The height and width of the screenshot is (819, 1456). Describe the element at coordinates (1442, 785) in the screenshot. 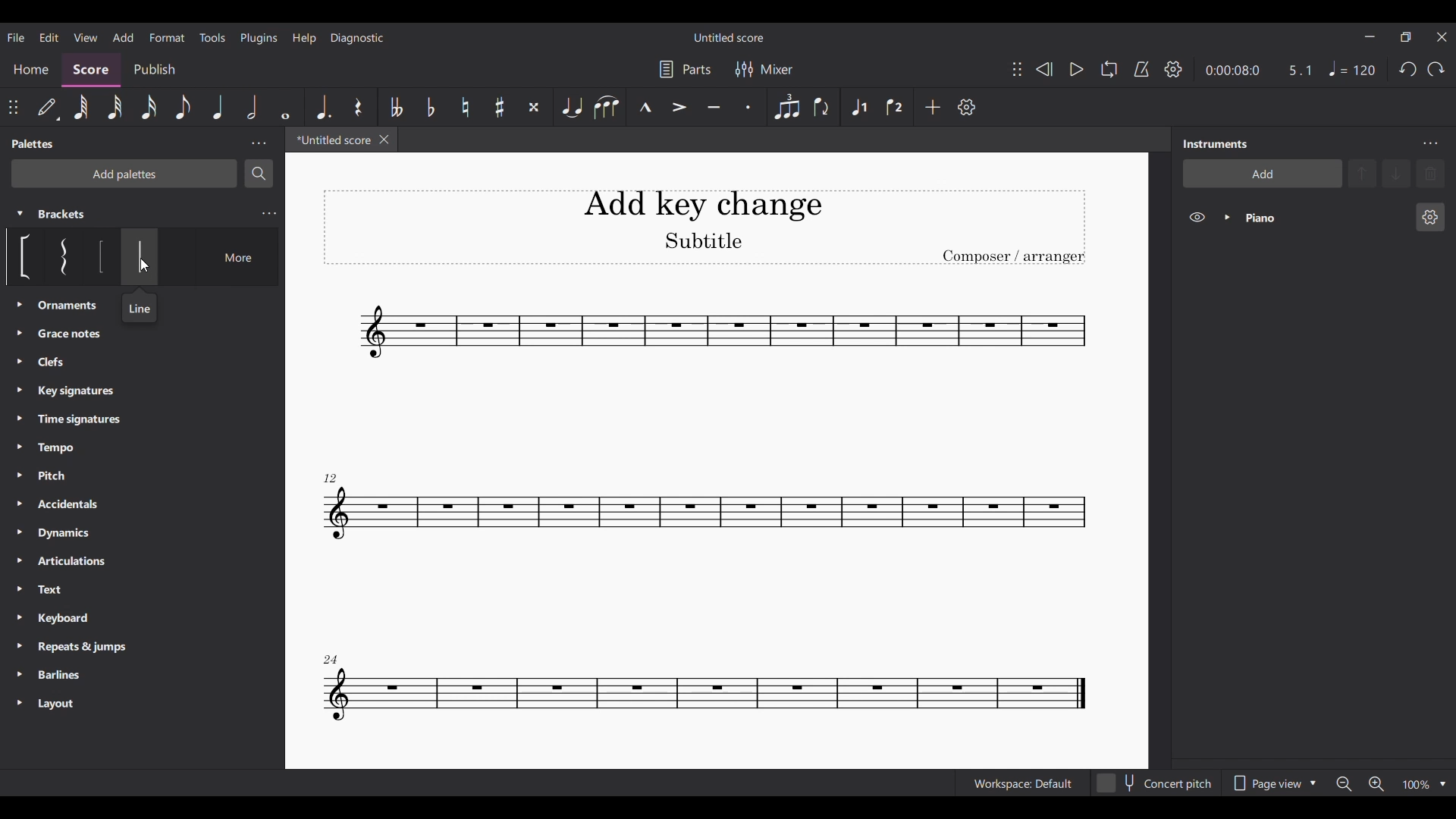

I see `Zoom options` at that location.